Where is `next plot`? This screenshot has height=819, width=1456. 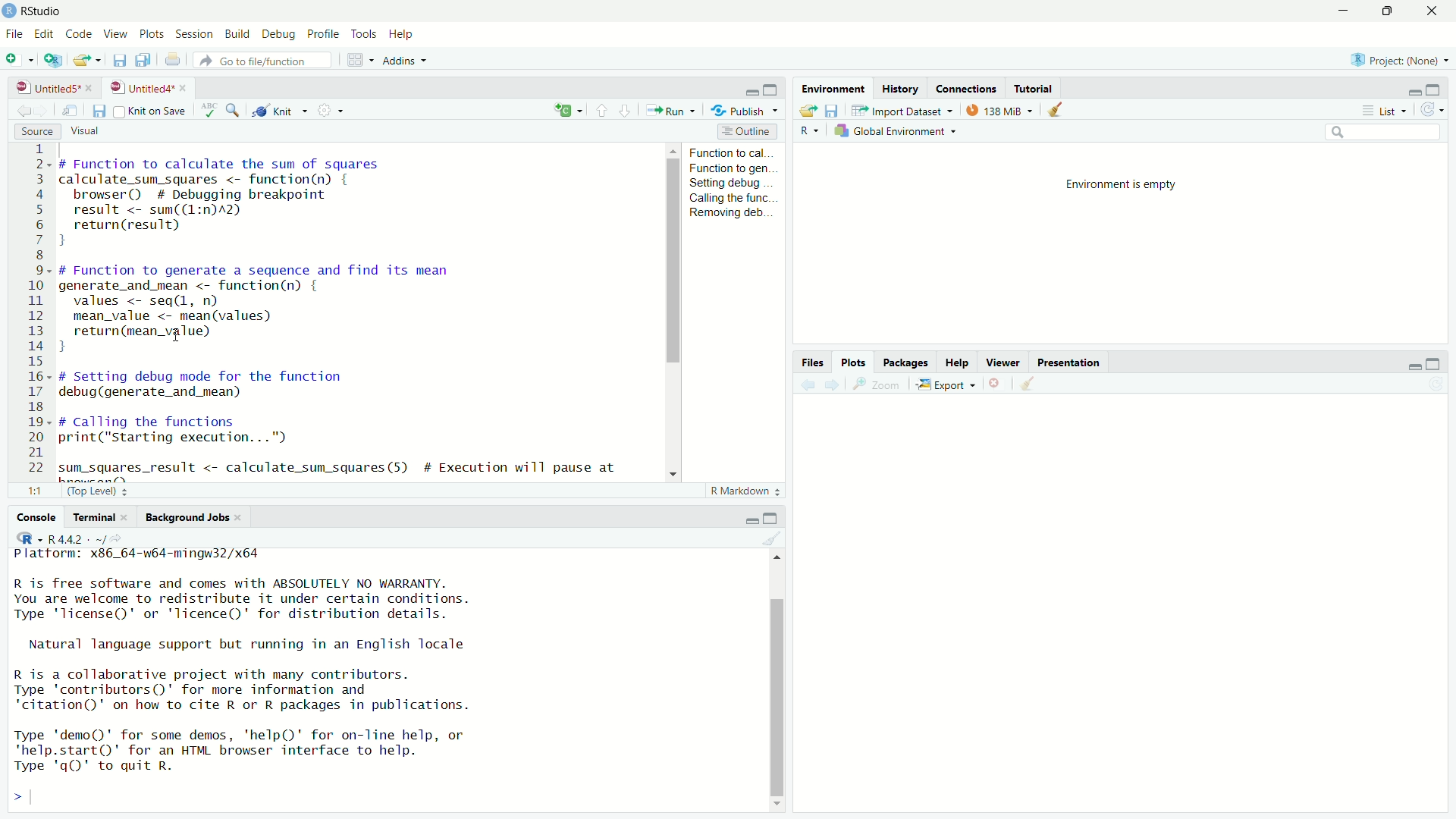 next plot is located at coordinates (836, 384).